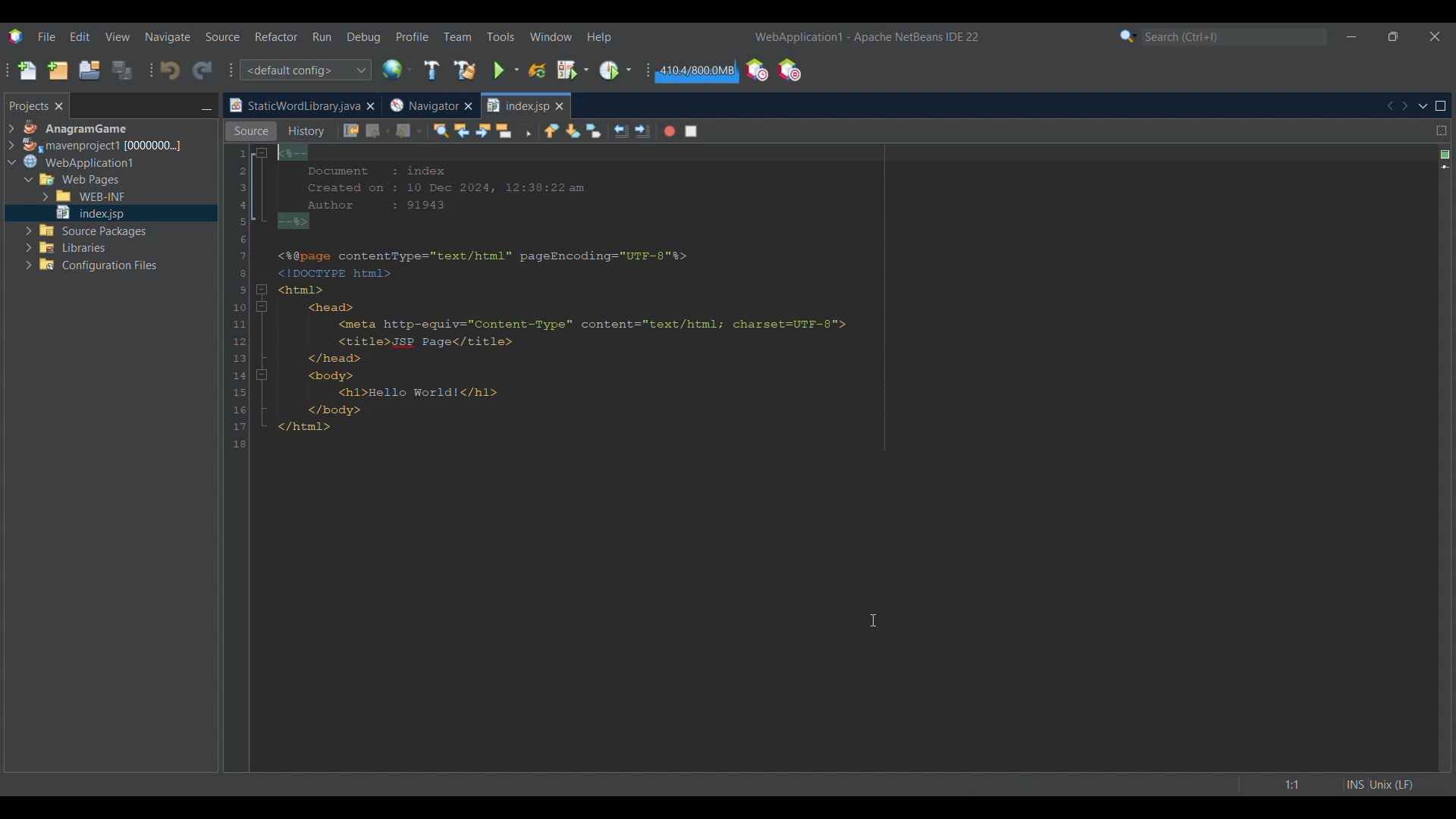  What do you see at coordinates (615, 71) in the screenshot?
I see `Profile main project options` at bounding box center [615, 71].